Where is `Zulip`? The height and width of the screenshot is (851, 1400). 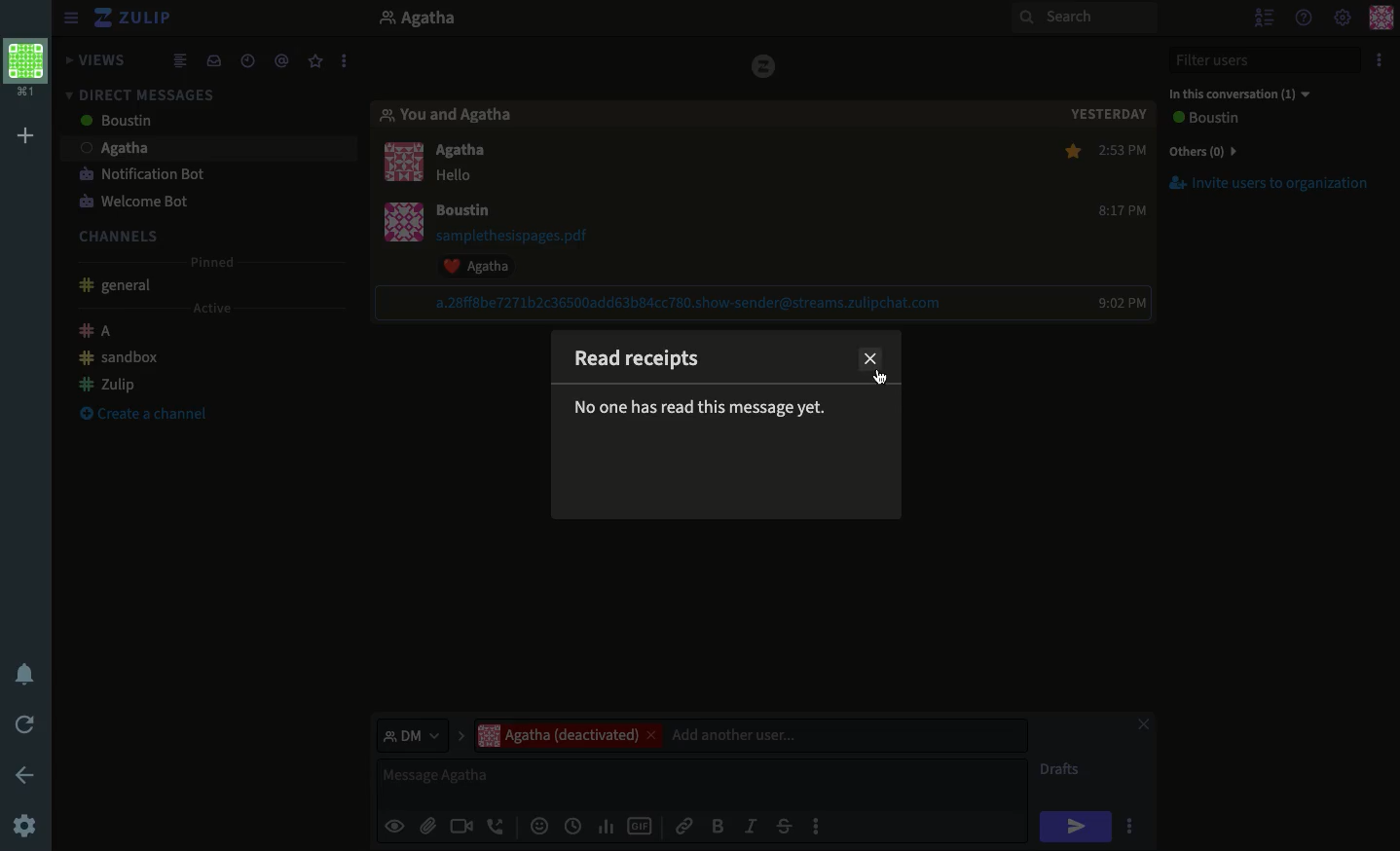 Zulip is located at coordinates (136, 19).